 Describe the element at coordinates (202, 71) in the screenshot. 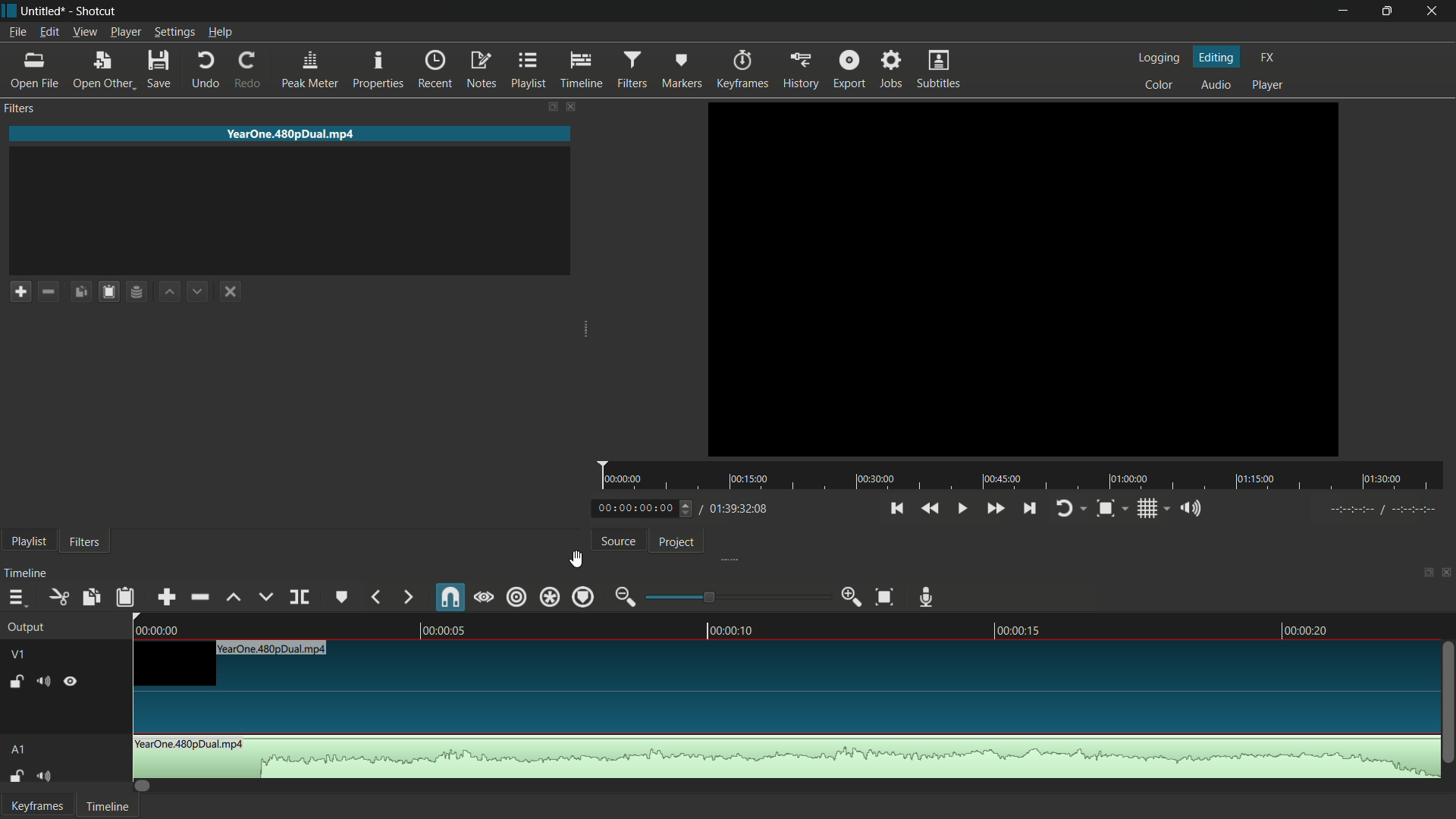

I see `undo` at that location.